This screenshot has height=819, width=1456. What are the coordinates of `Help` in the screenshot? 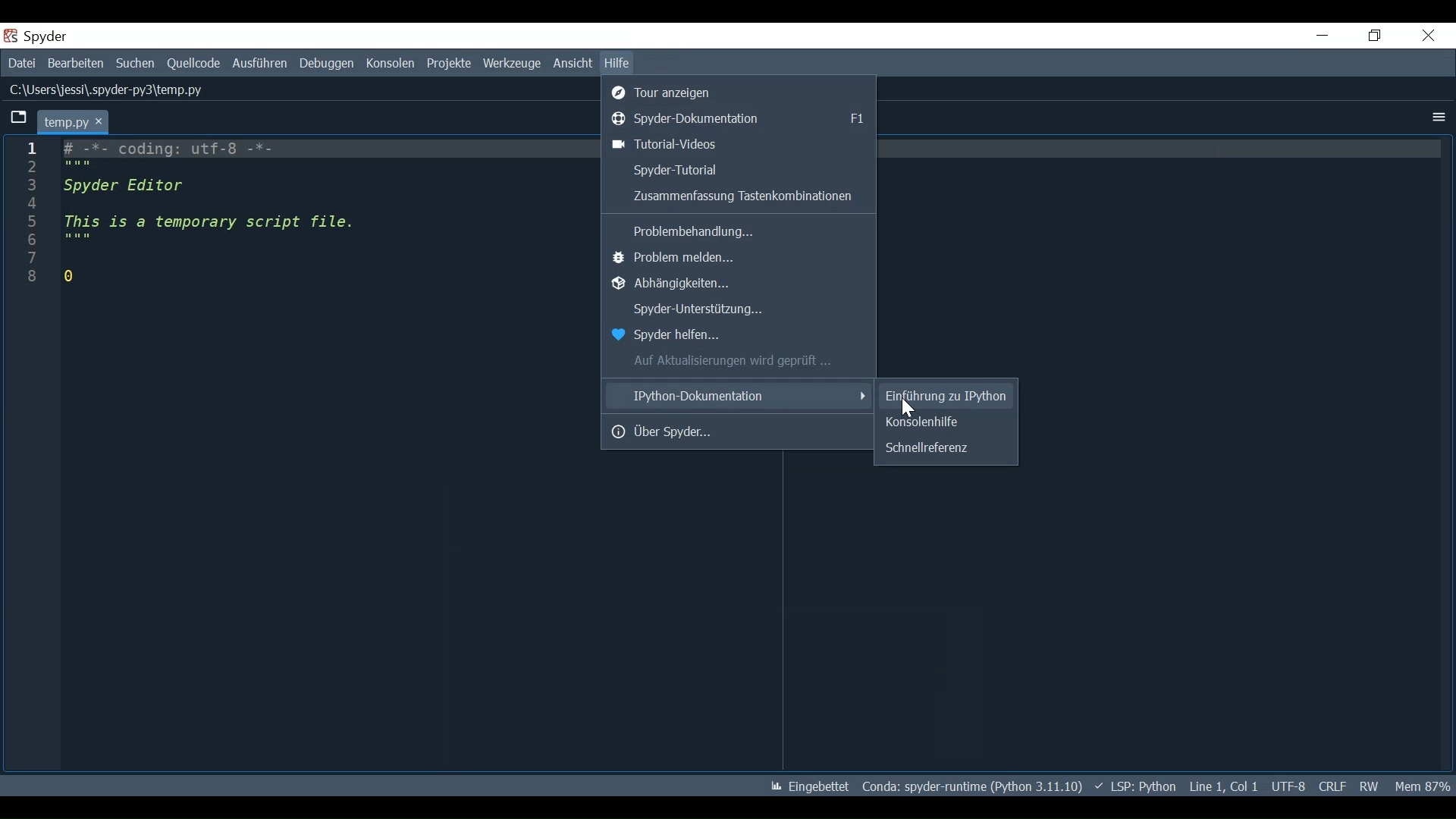 It's located at (617, 63).